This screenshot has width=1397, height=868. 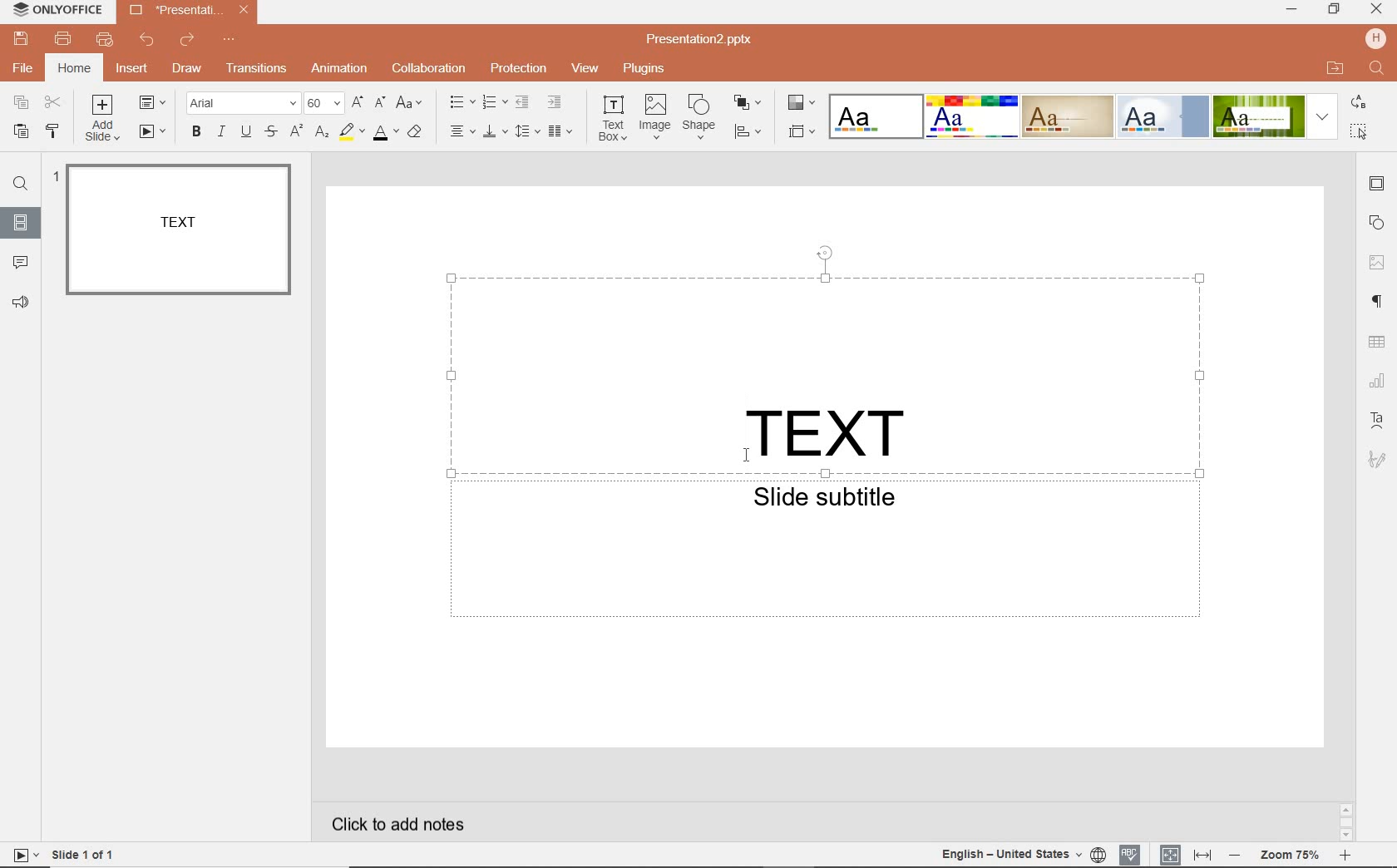 I want to click on PRINT, so click(x=64, y=39).